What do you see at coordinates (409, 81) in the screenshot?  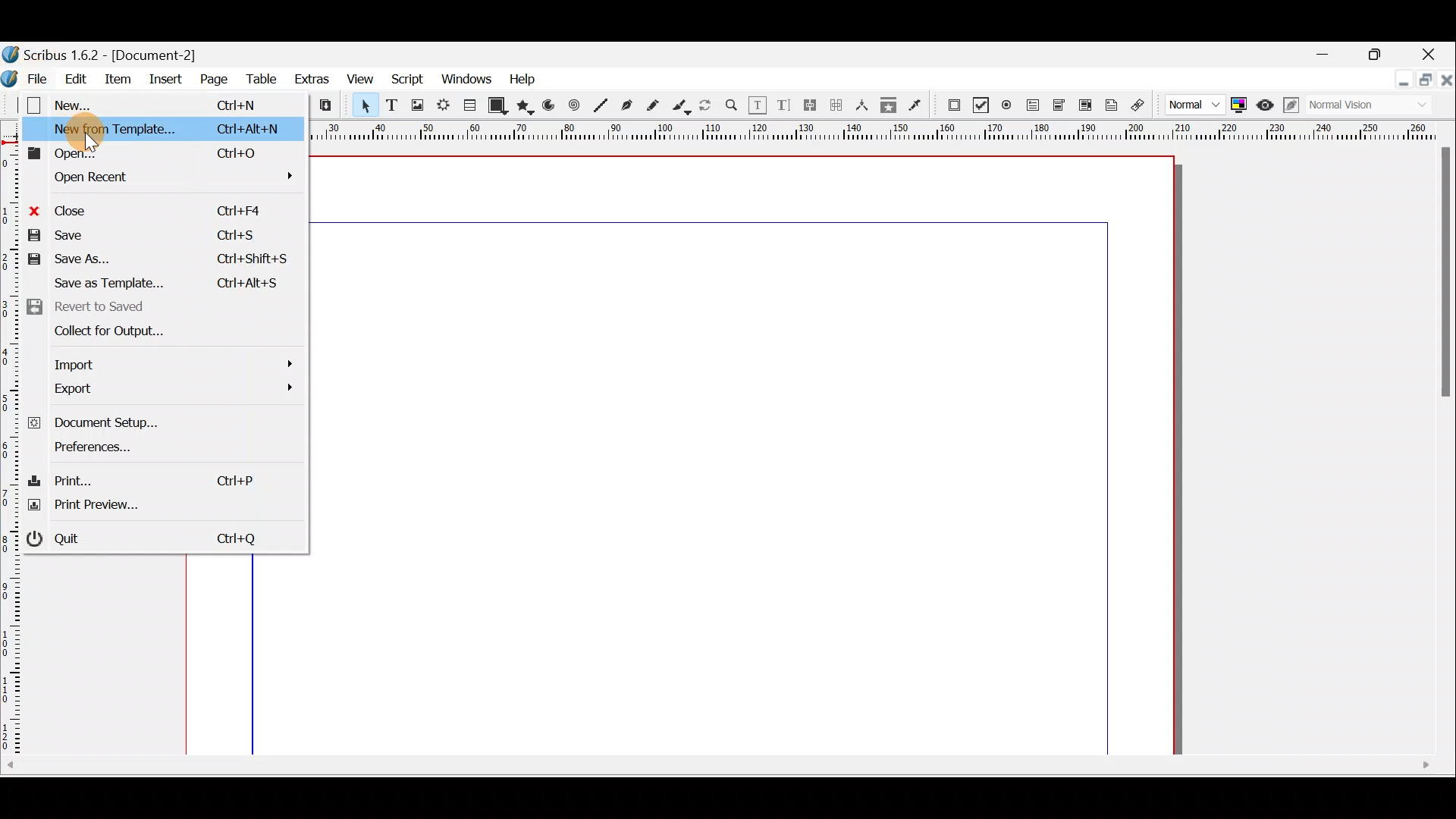 I see `Script` at bounding box center [409, 81].